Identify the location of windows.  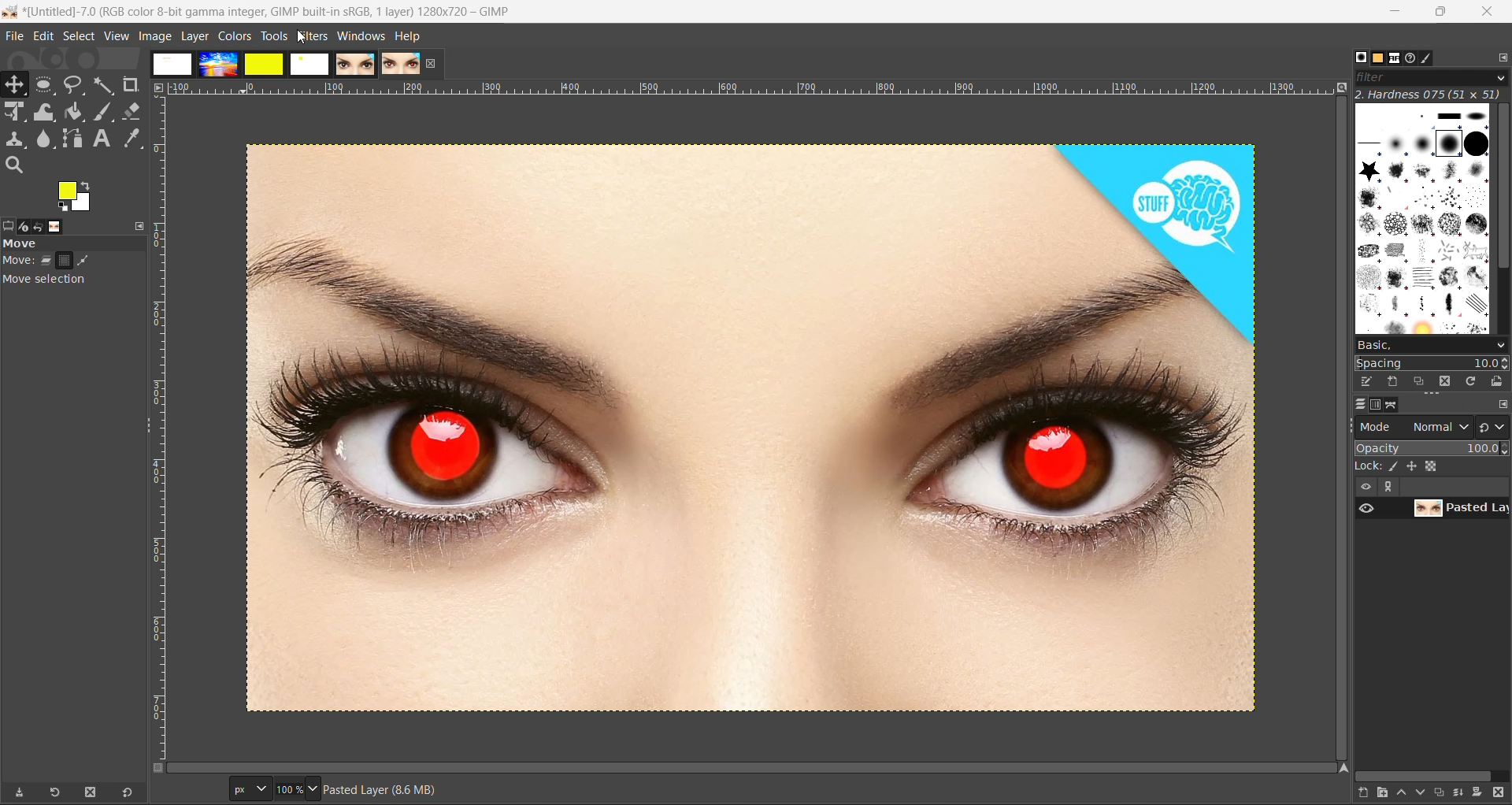
(361, 36).